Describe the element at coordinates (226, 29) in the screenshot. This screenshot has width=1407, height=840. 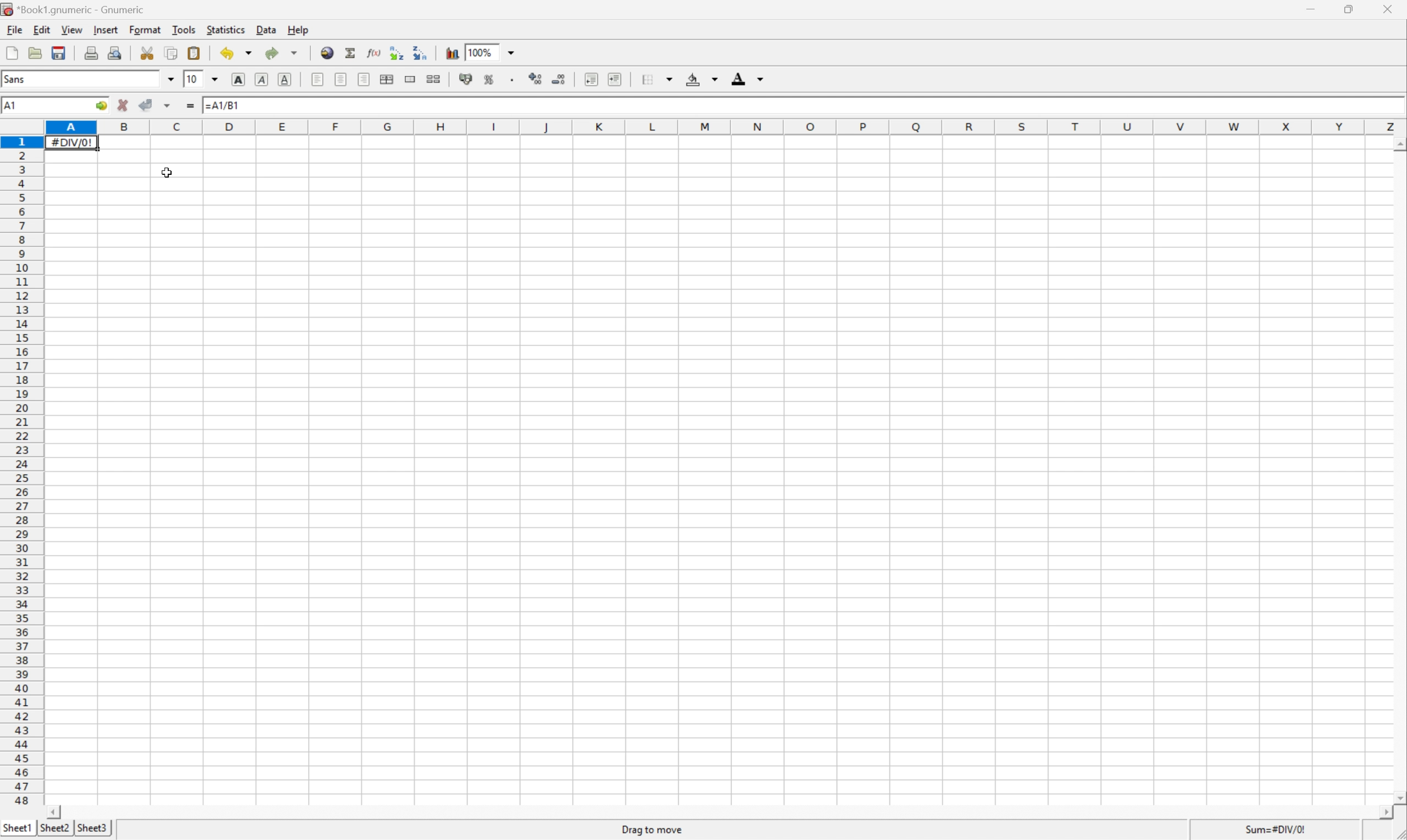
I see `Statistics` at that location.